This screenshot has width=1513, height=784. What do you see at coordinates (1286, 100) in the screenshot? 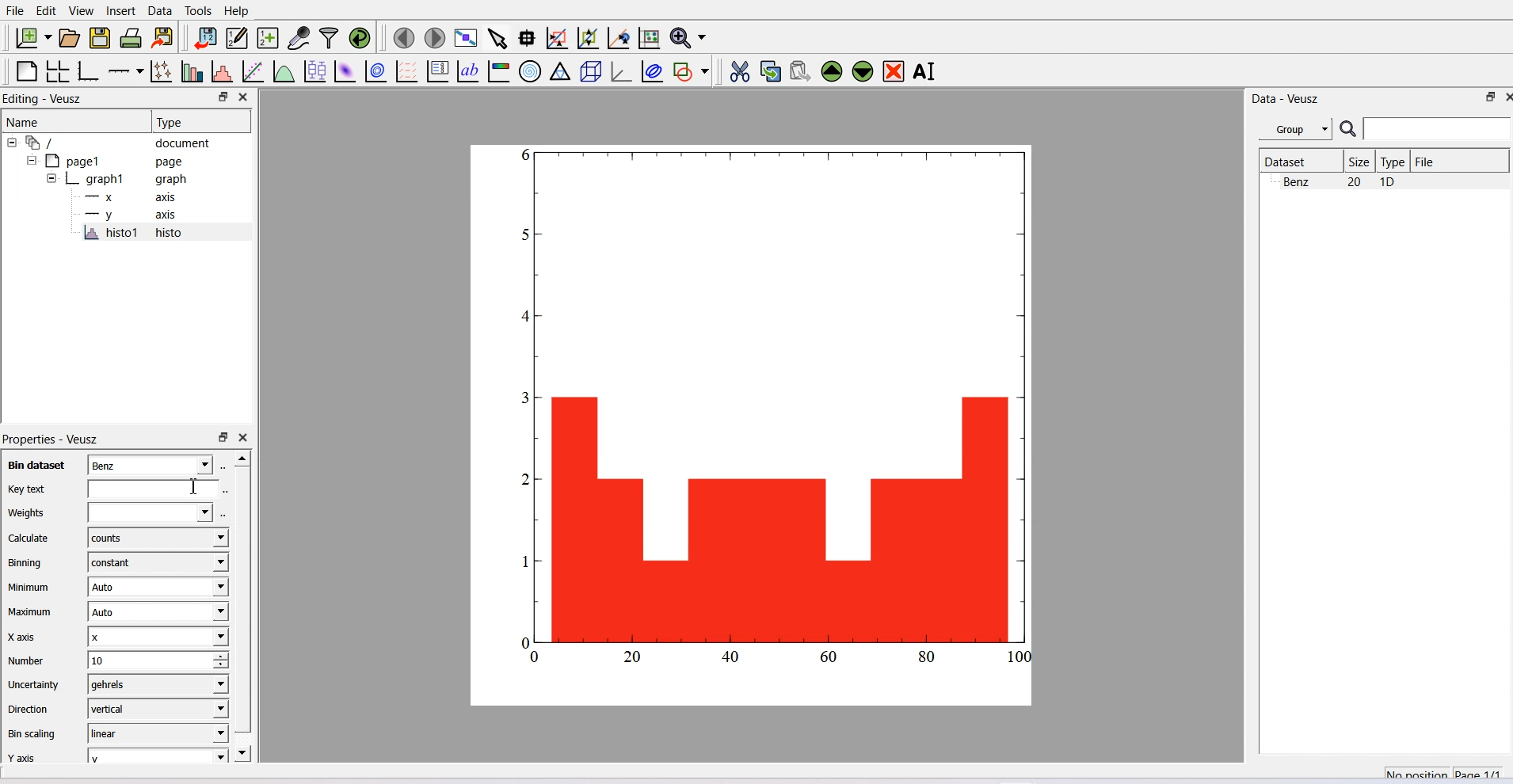
I see `Data - Veusz` at bounding box center [1286, 100].